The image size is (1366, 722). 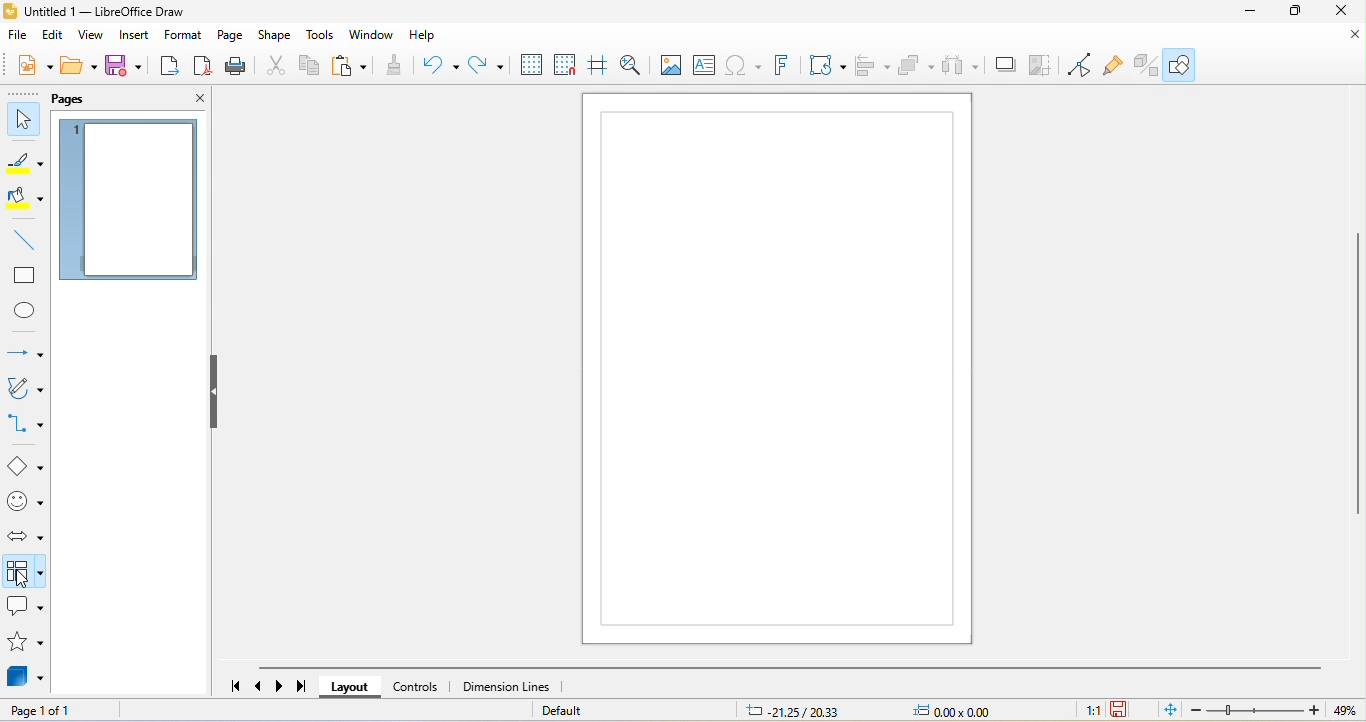 I want to click on 21.25/20.33, so click(x=801, y=710).